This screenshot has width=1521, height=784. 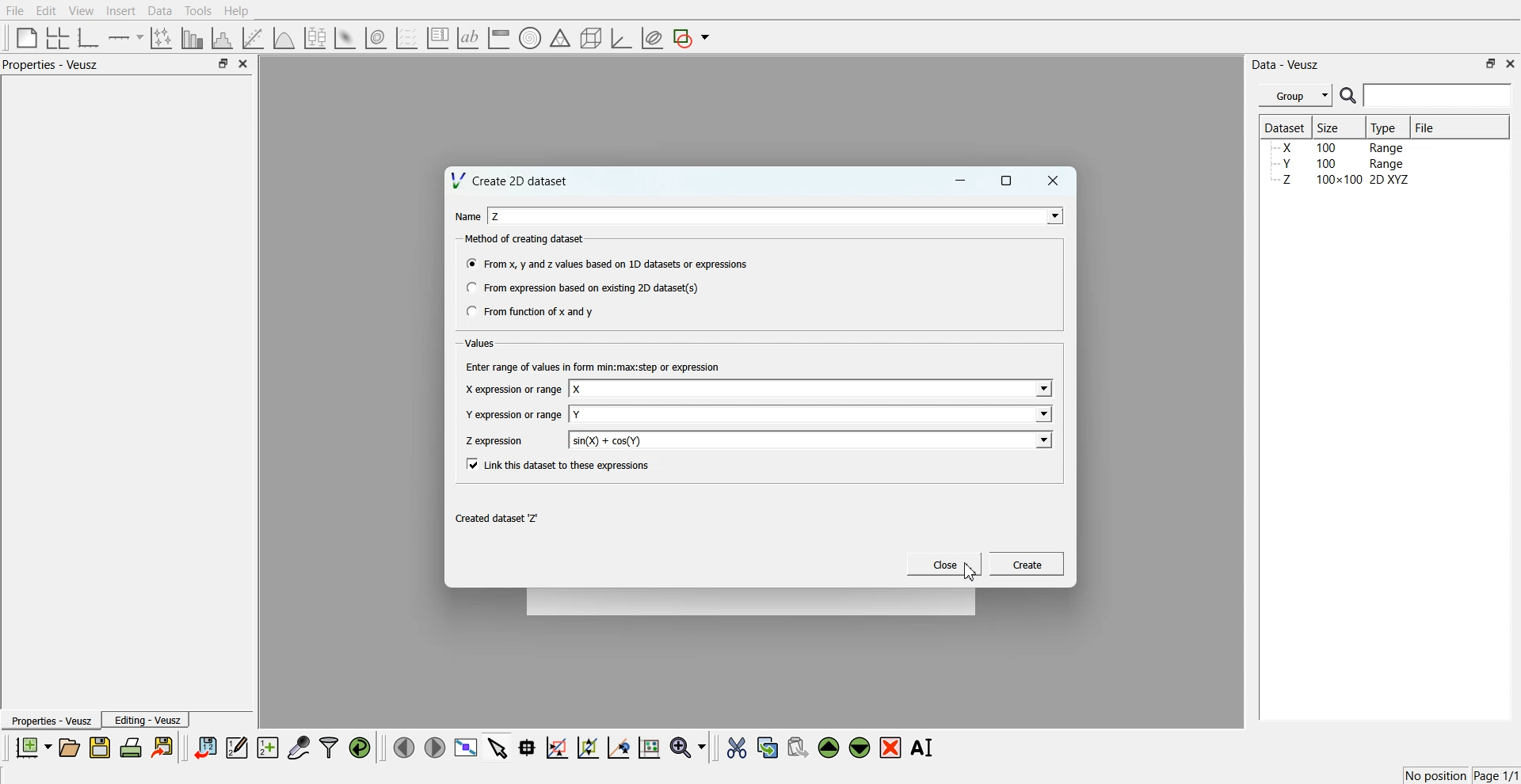 What do you see at coordinates (375, 38) in the screenshot?
I see `3D Volume` at bounding box center [375, 38].